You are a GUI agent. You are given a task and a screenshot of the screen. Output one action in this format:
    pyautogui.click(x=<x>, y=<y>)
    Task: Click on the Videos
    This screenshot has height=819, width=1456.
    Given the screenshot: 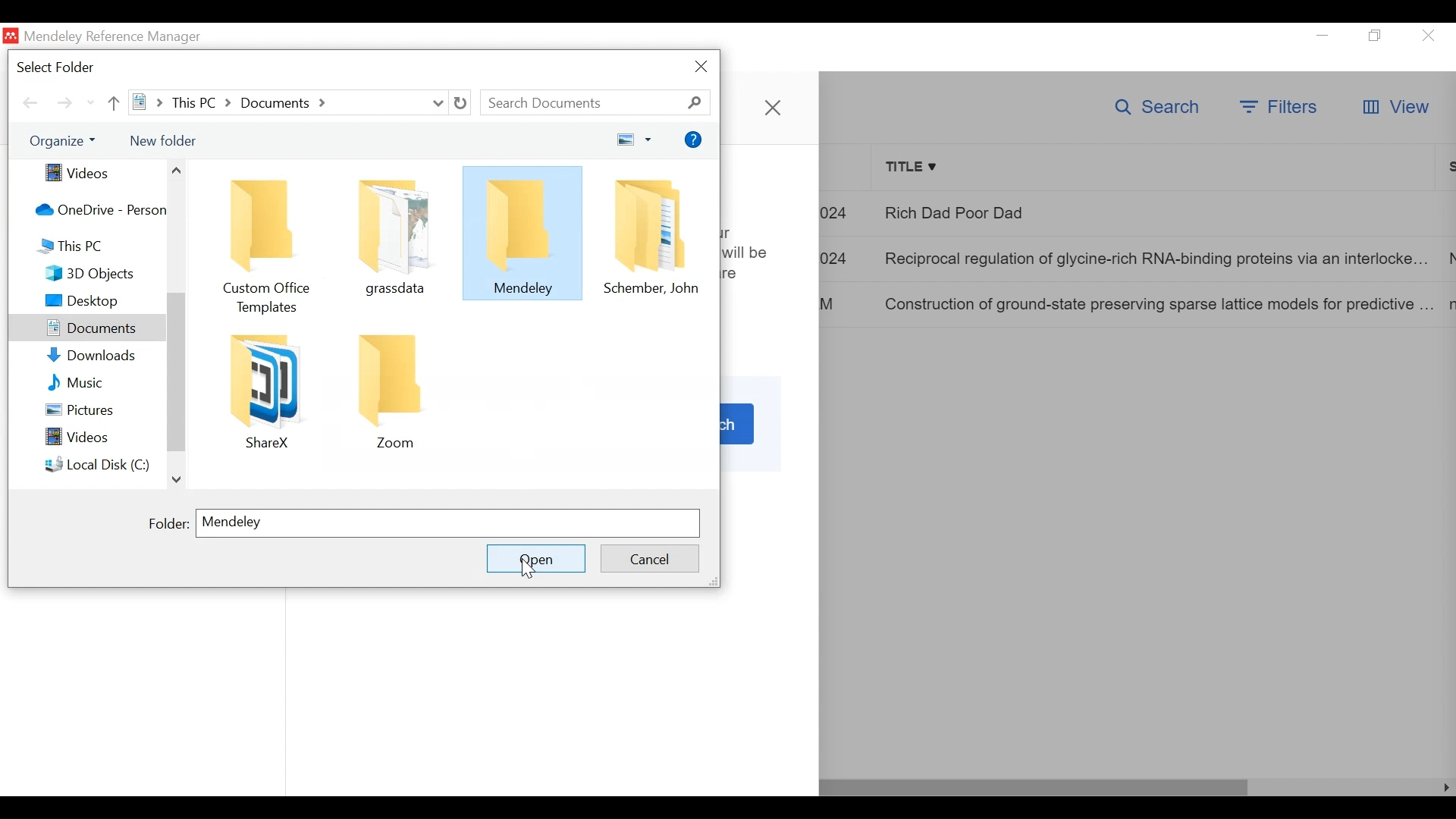 What is the action you would take?
    pyautogui.click(x=99, y=437)
    